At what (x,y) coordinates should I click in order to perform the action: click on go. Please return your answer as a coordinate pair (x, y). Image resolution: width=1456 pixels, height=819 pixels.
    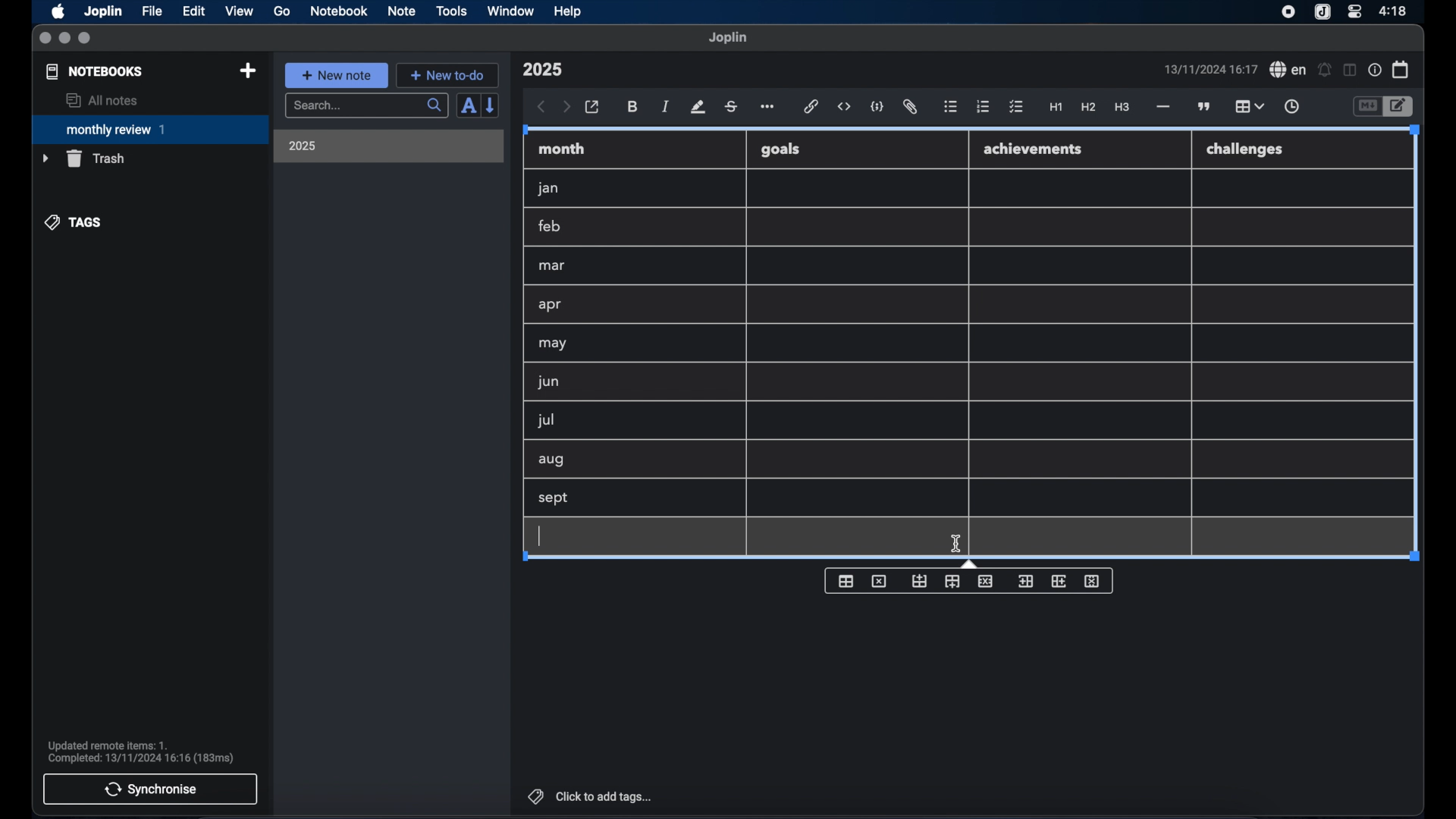
    Looking at the image, I should click on (282, 11).